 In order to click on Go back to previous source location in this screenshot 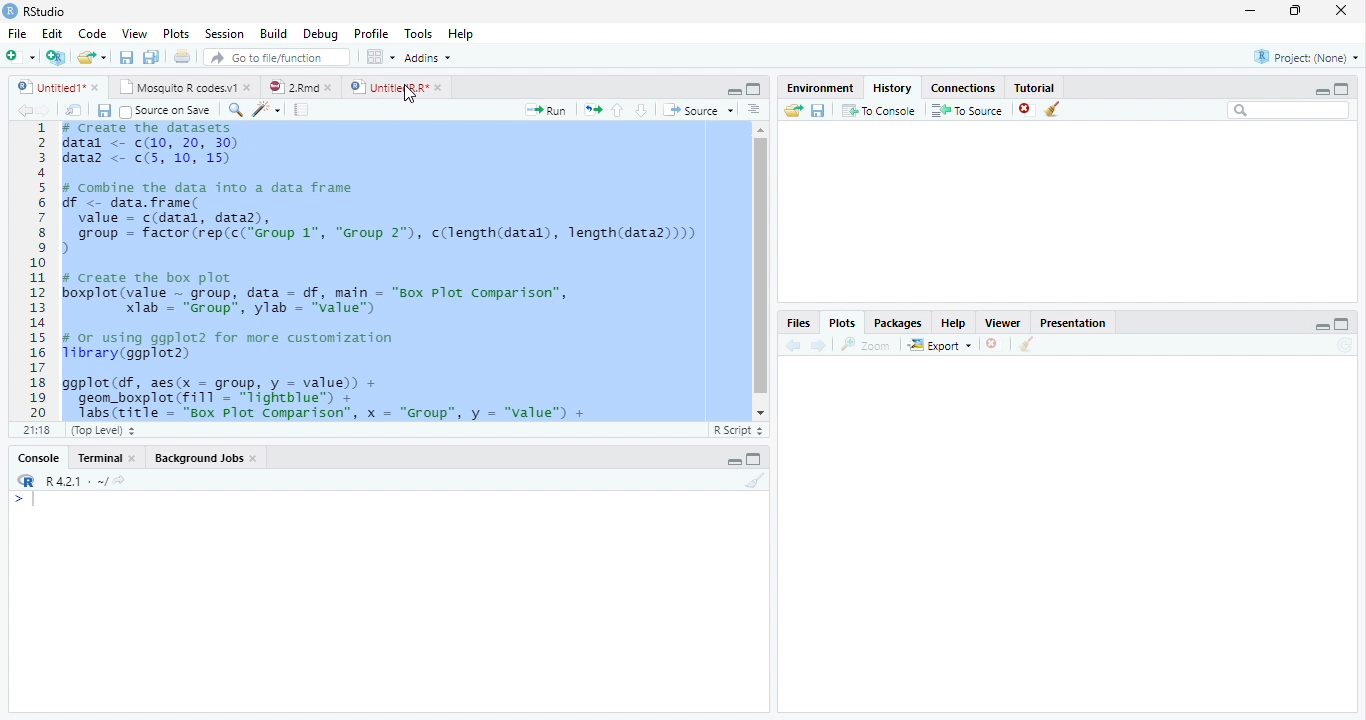, I will do `click(24, 110)`.